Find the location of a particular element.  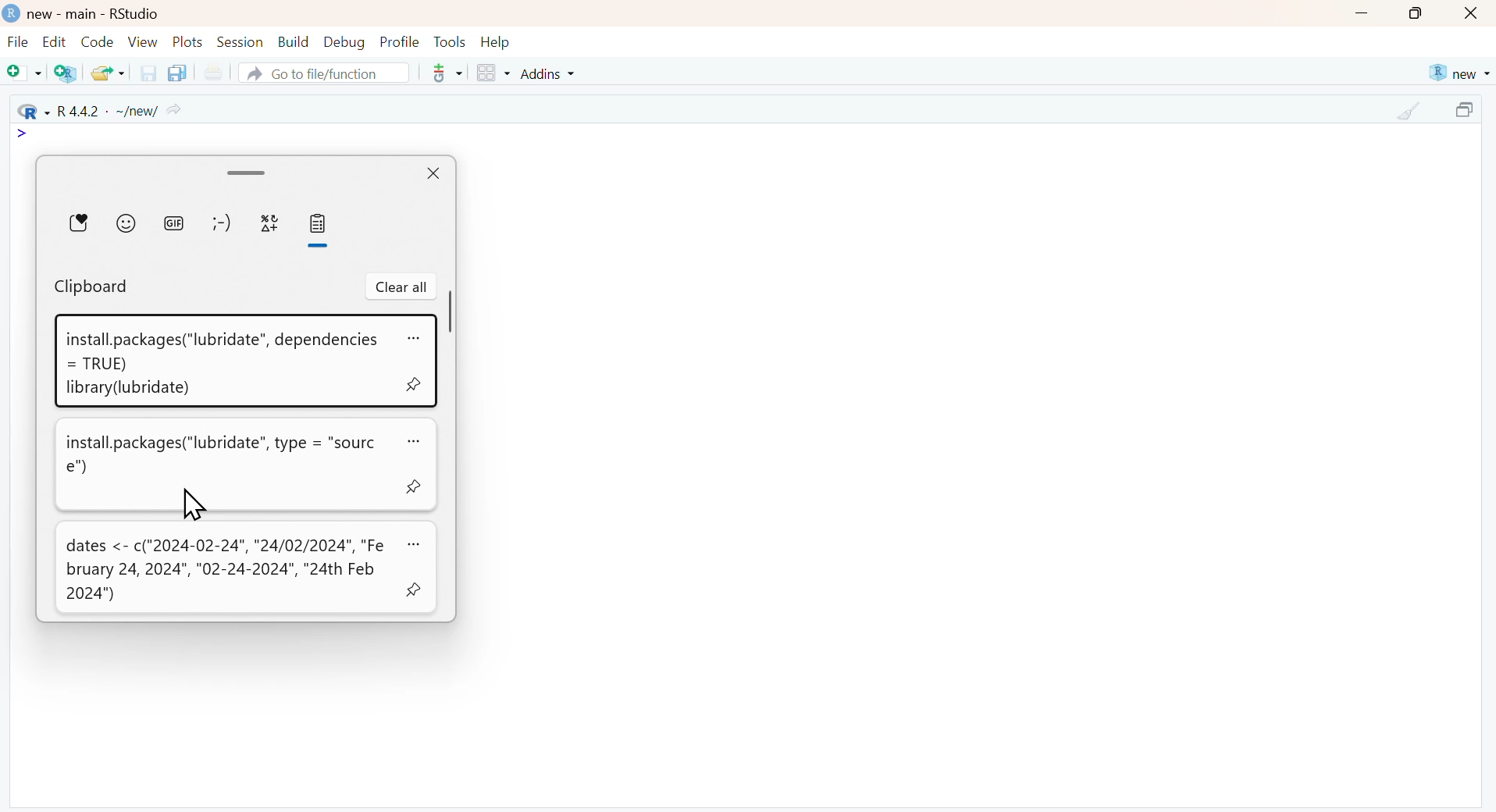

New file is located at coordinates (25, 74).